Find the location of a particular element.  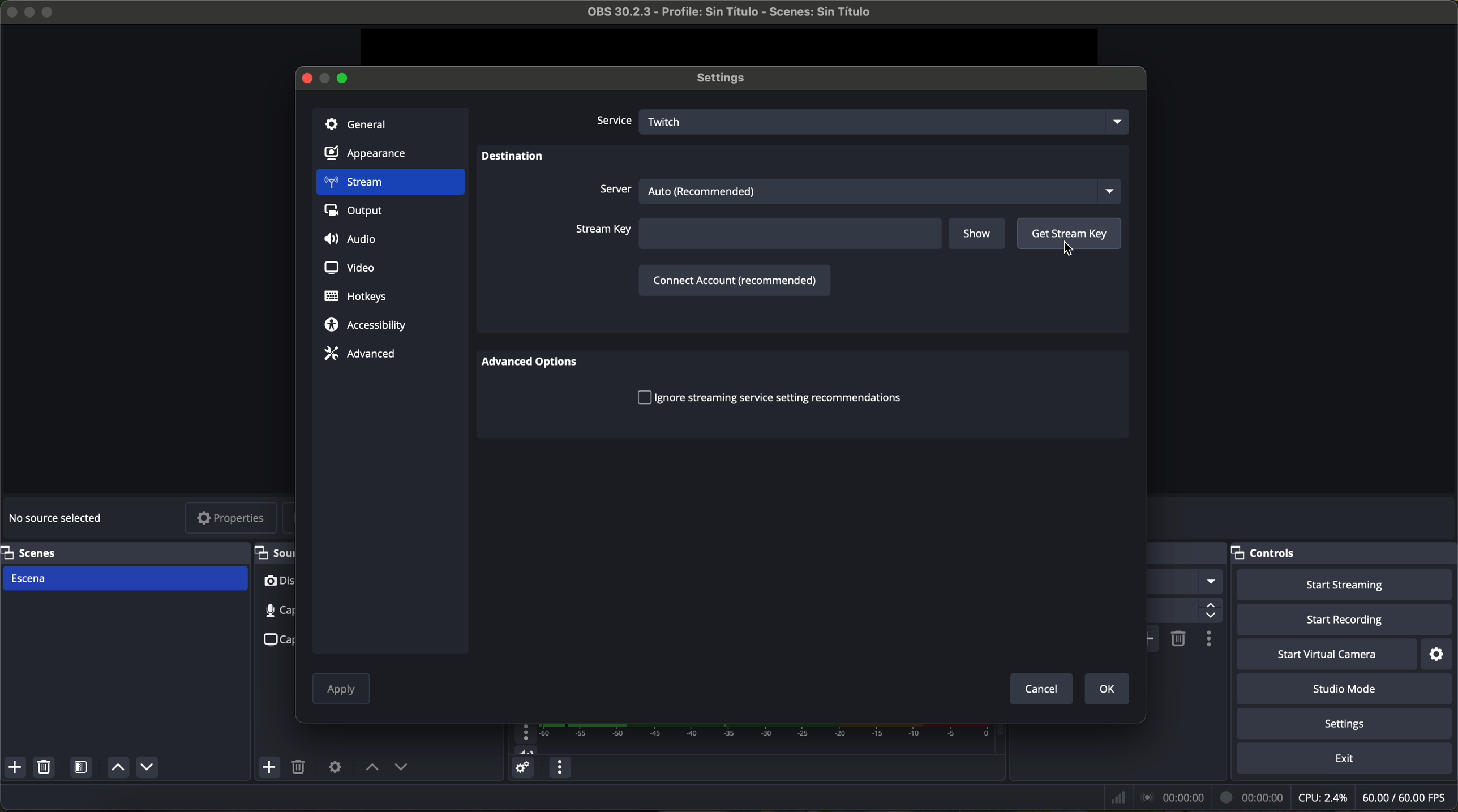

stream key is located at coordinates (757, 234).